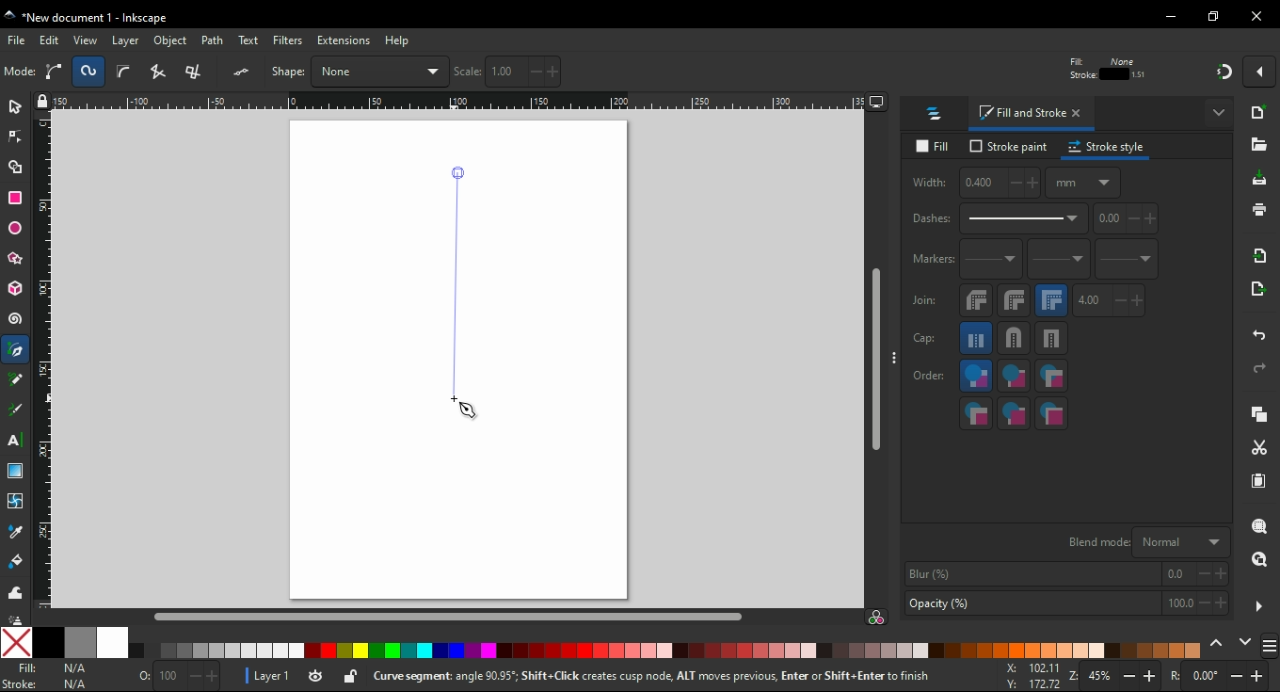 Image resolution: width=1280 pixels, height=692 pixels. I want to click on rotate 90, so click(208, 72).